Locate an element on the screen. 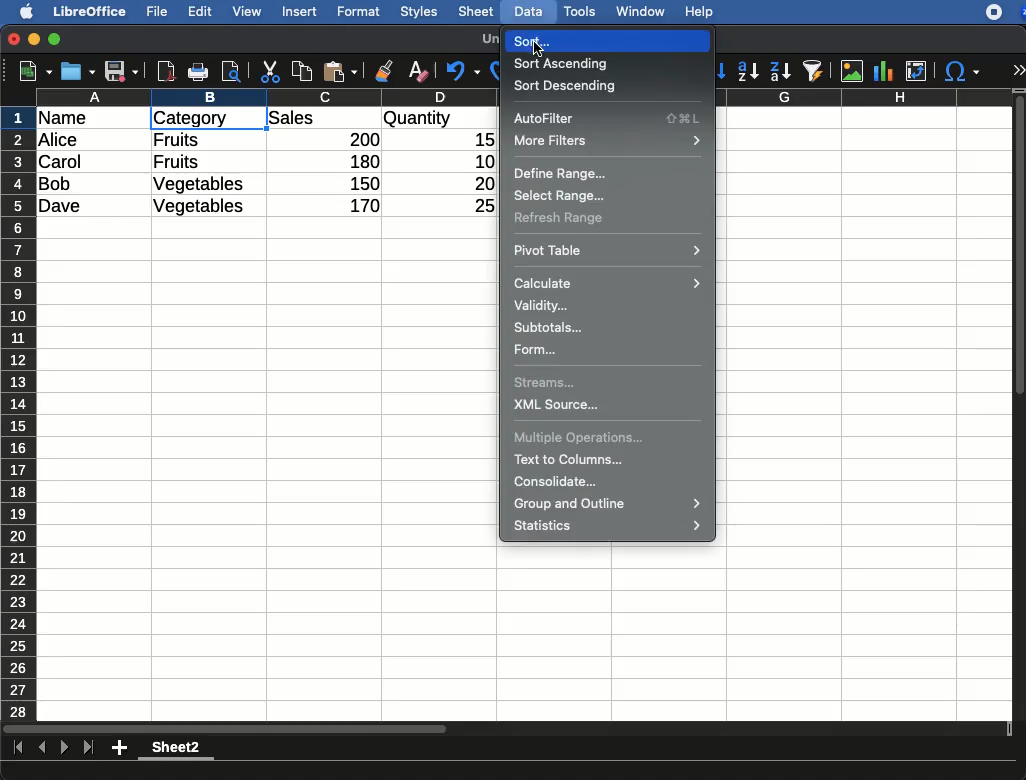 The width and height of the screenshot is (1026, 780). 20 is located at coordinates (477, 183).